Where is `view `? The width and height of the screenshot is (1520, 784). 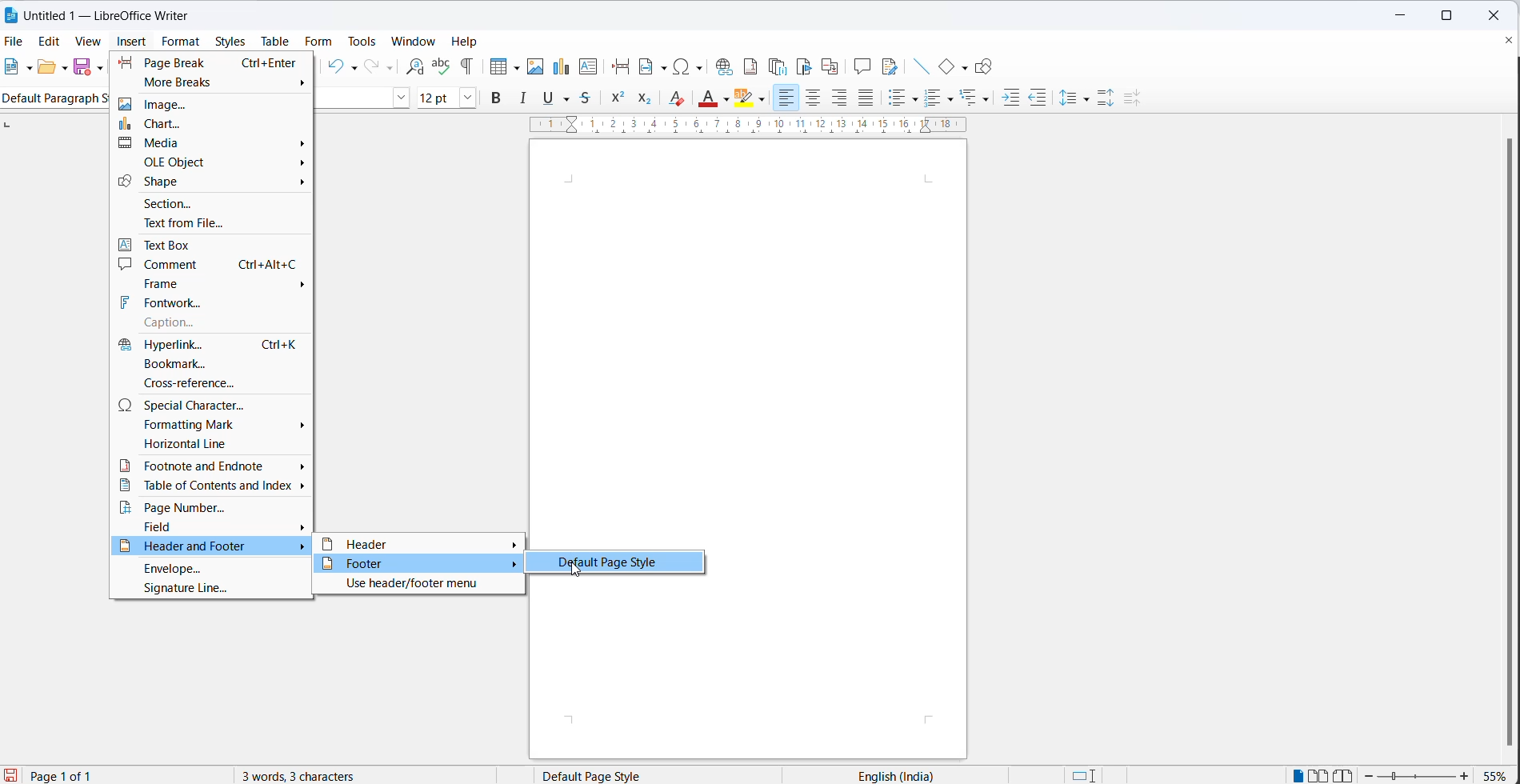 view  is located at coordinates (90, 42).